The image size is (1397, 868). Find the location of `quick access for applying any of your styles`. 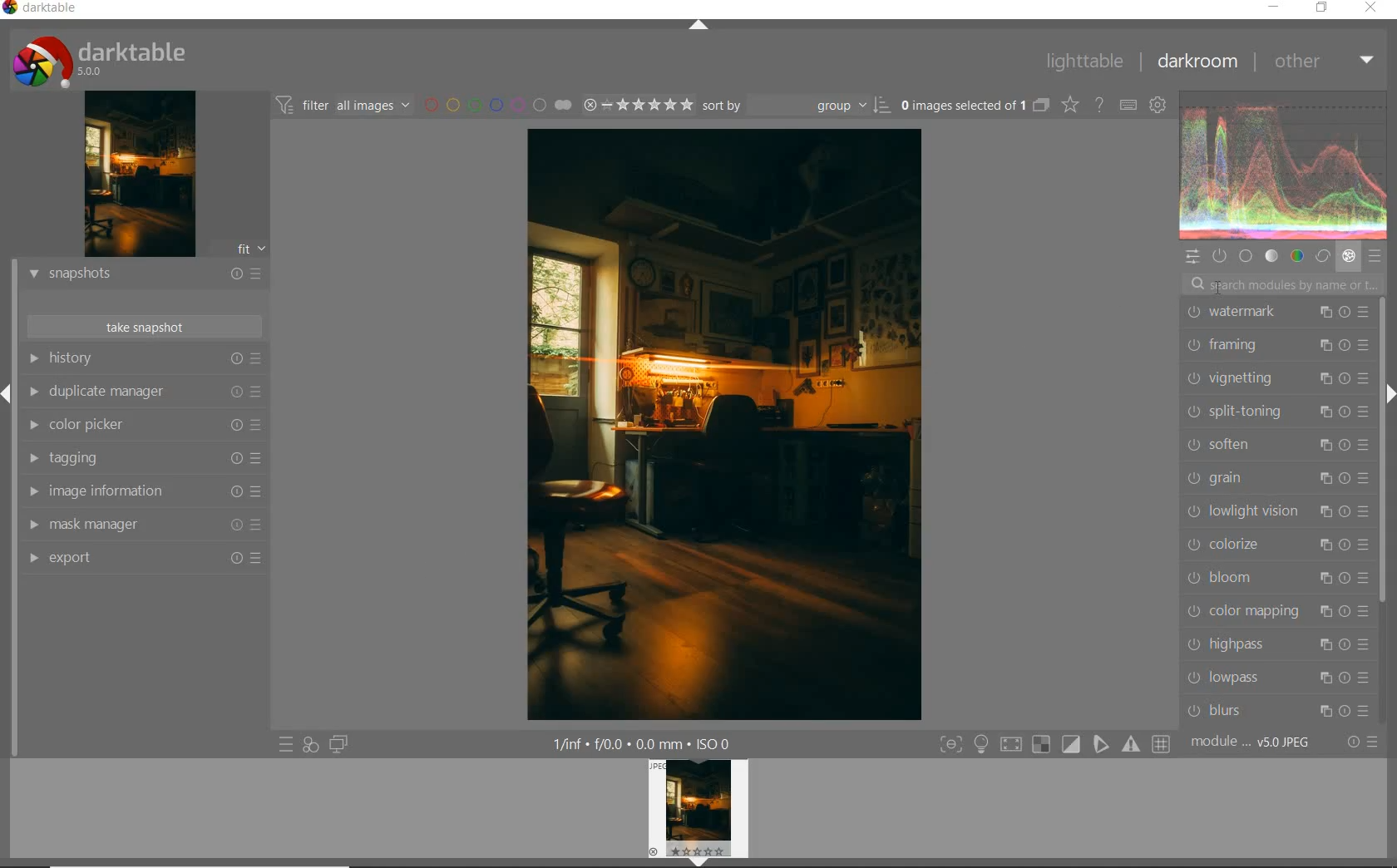

quick access for applying any of your styles is located at coordinates (311, 743).